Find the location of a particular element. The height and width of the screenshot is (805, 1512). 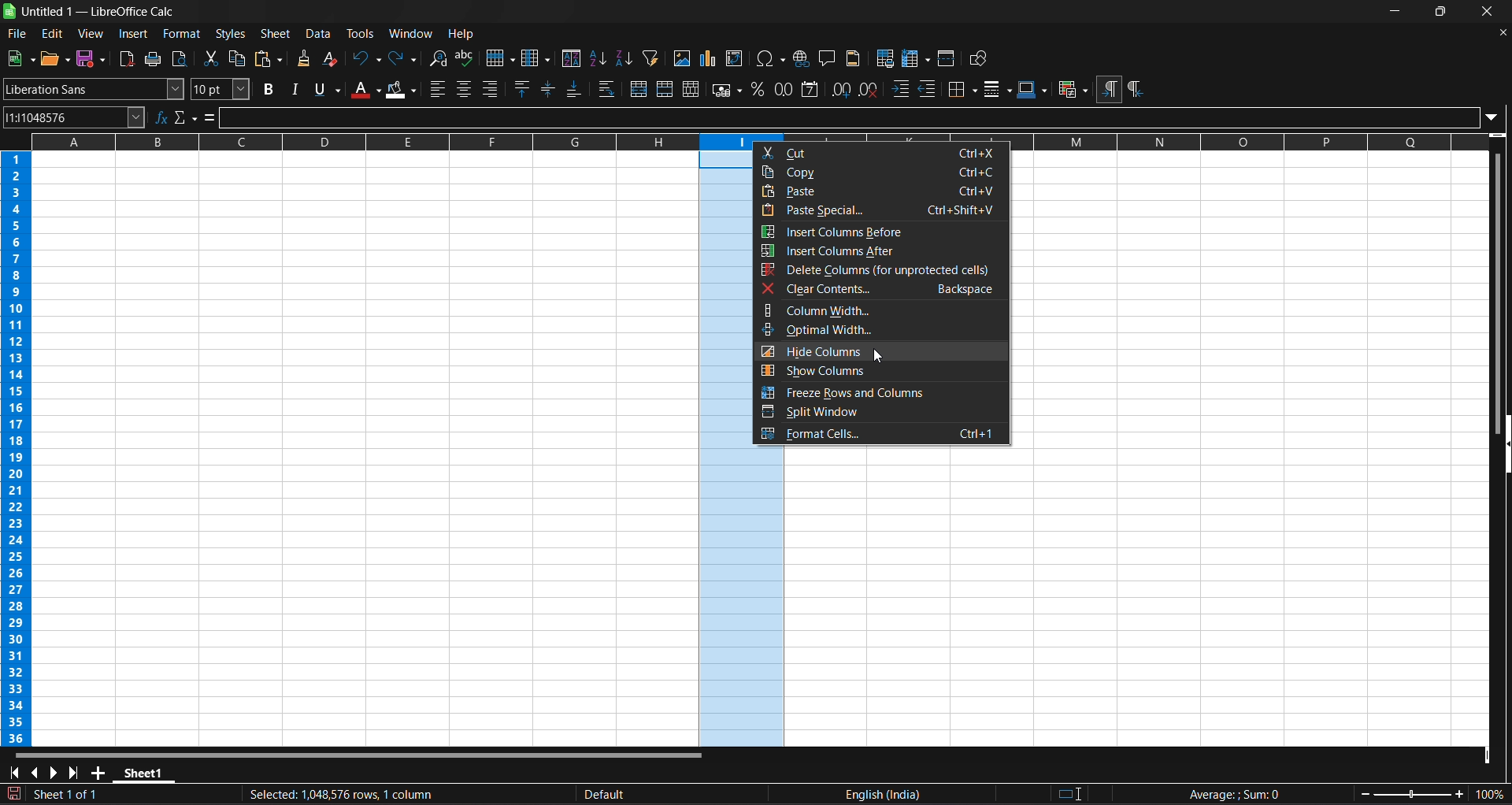

show draw functions is located at coordinates (980, 59).